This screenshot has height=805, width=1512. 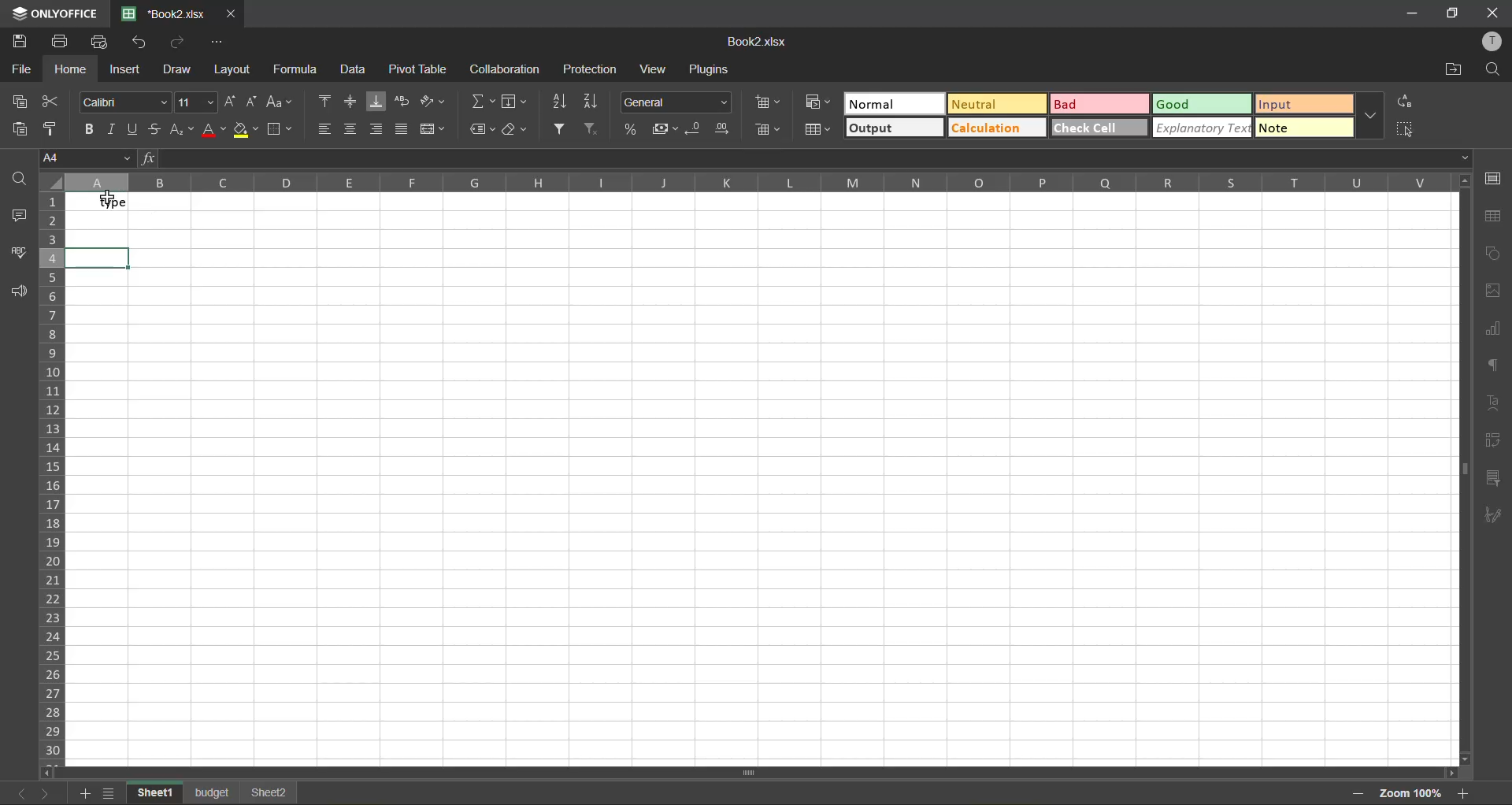 I want to click on sub/superscript, so click(x=184, y=128).